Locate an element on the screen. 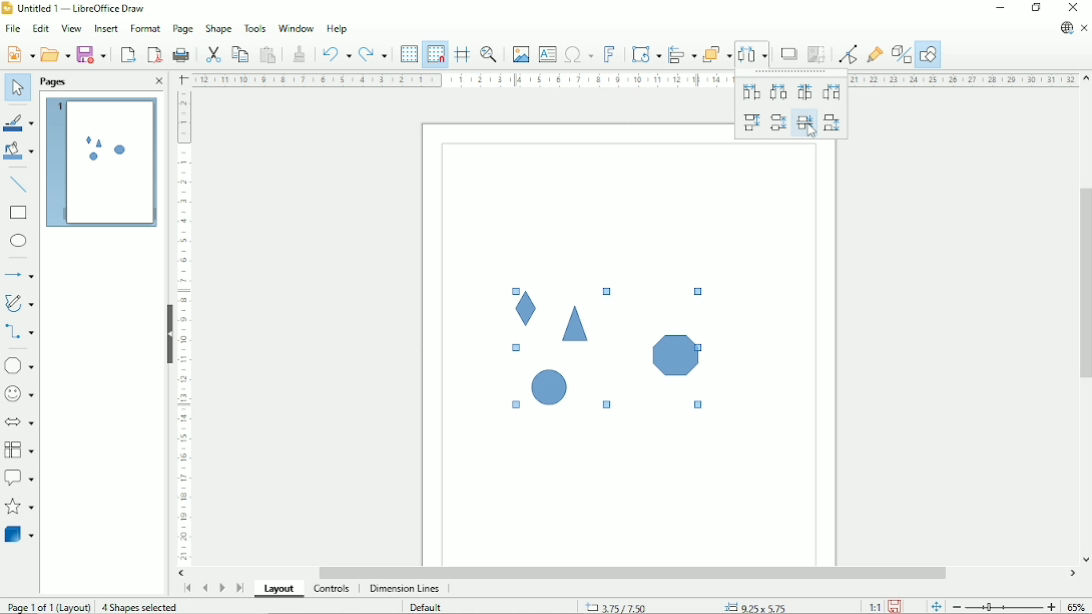 This screenshot has width=1092, height=614. Scroll to previous page is located at coordinates (206, 586).